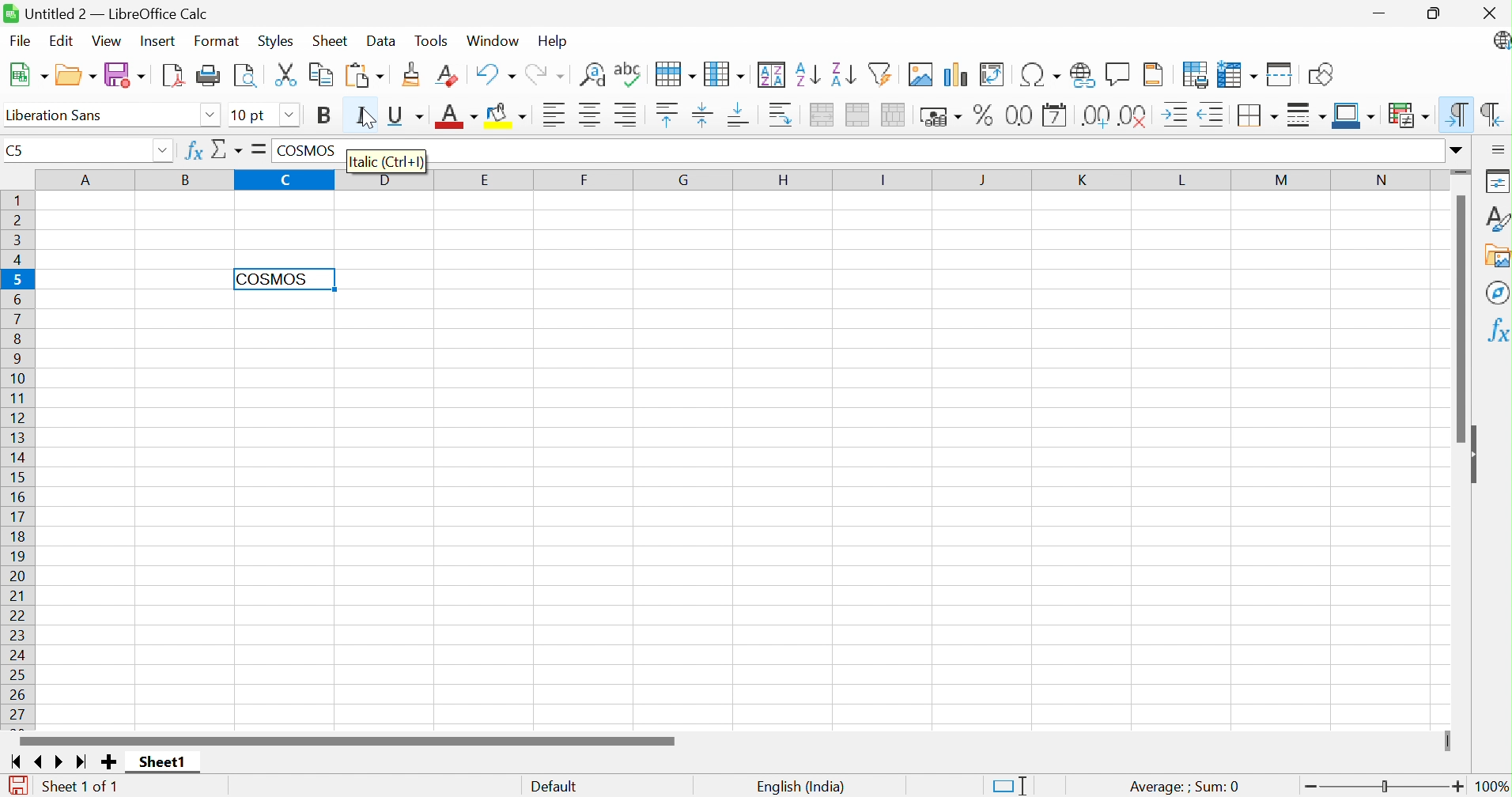 The height and width of the screenshot is (797, 1512). Describe the element at coordinates (1408, 113) in the screenshot. I see `Conditional` at that location.